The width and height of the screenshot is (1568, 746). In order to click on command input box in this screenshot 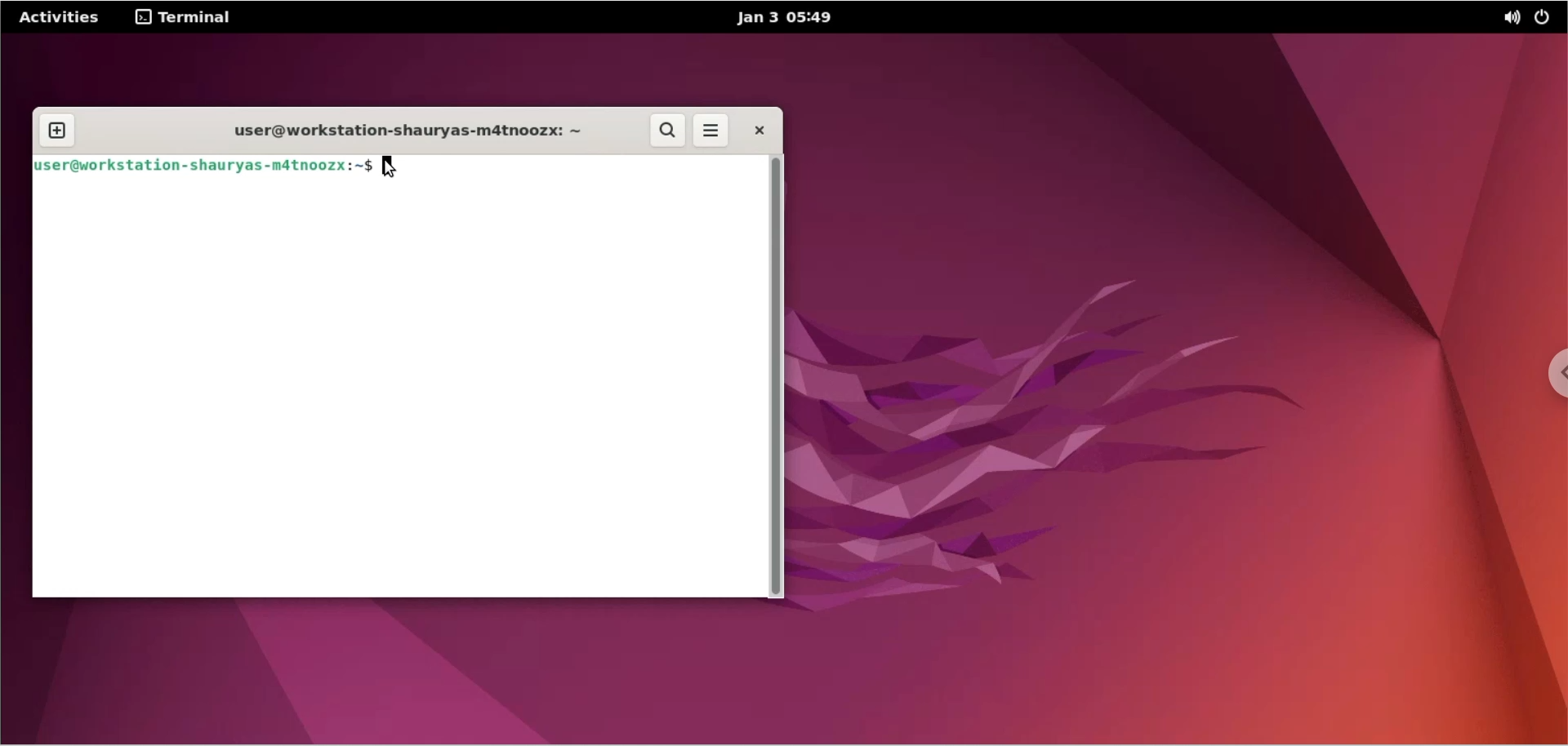, I will do `click(590, 167)`.